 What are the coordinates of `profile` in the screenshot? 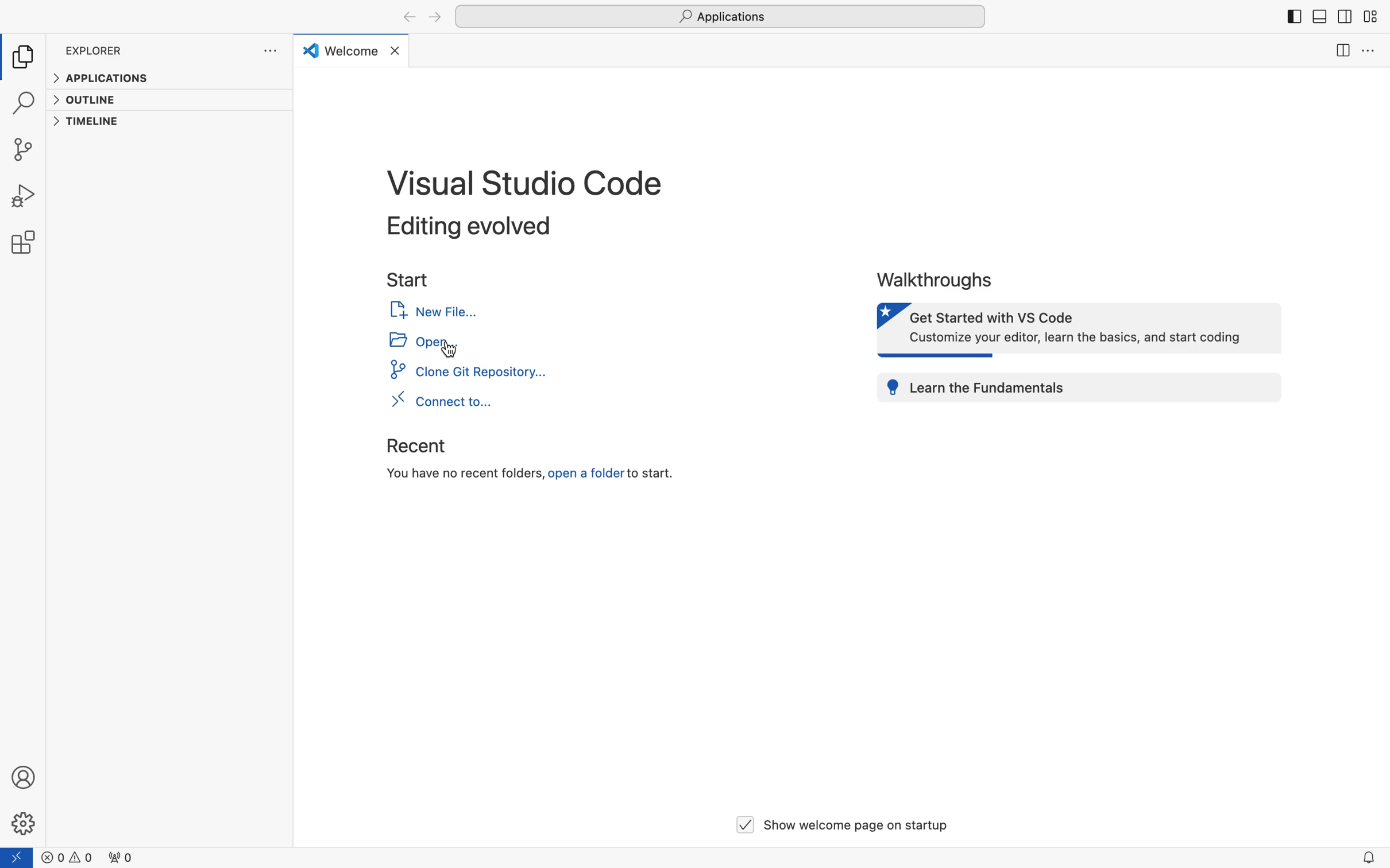 It's located at (26, 775).